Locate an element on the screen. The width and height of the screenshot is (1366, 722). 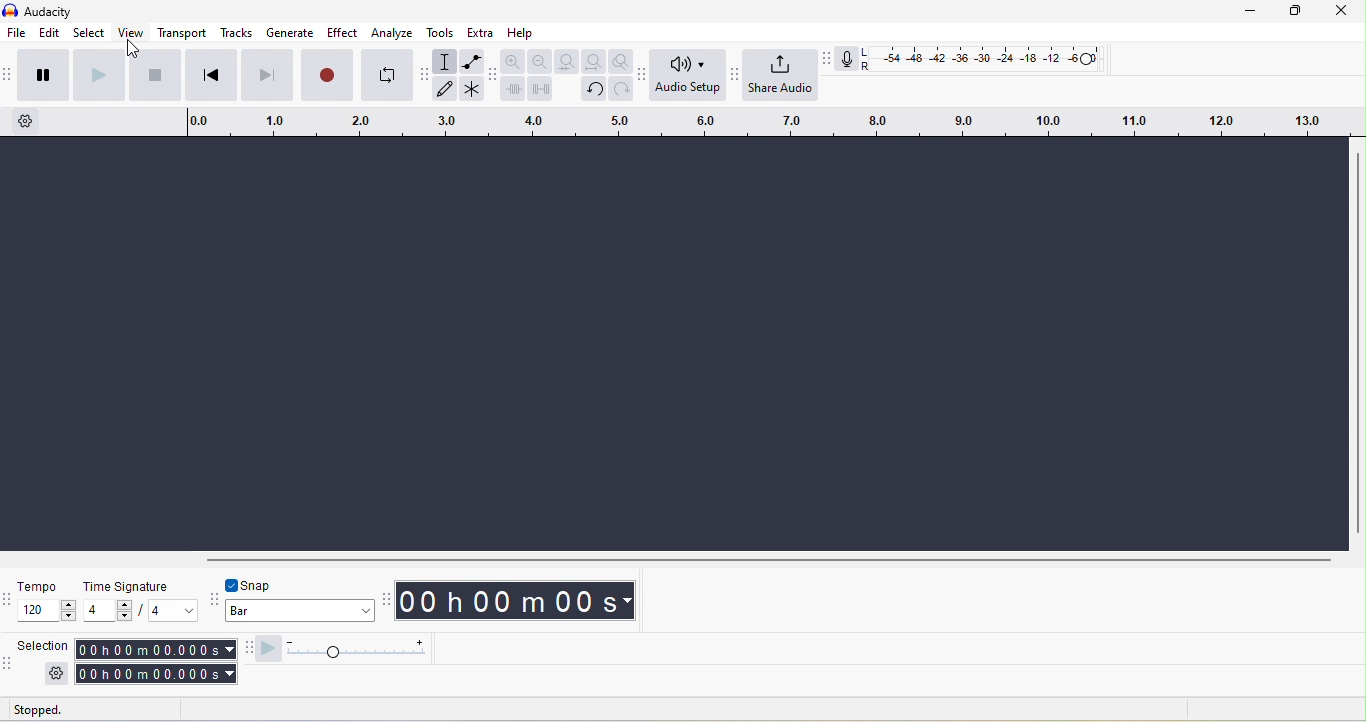
share audio is located at coordinates (780, 74).